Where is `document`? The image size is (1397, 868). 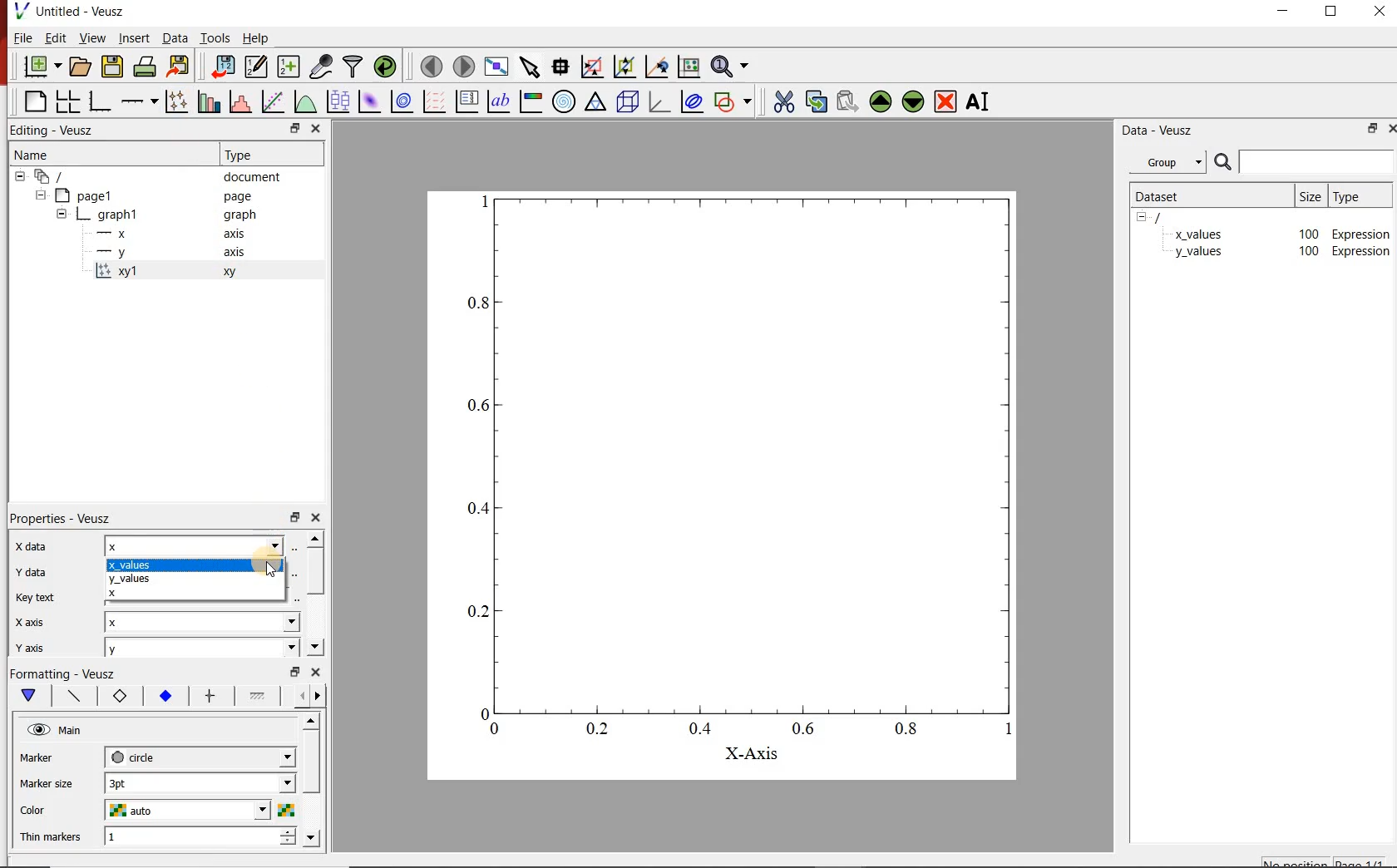 document is located at coordinates (250, 177).